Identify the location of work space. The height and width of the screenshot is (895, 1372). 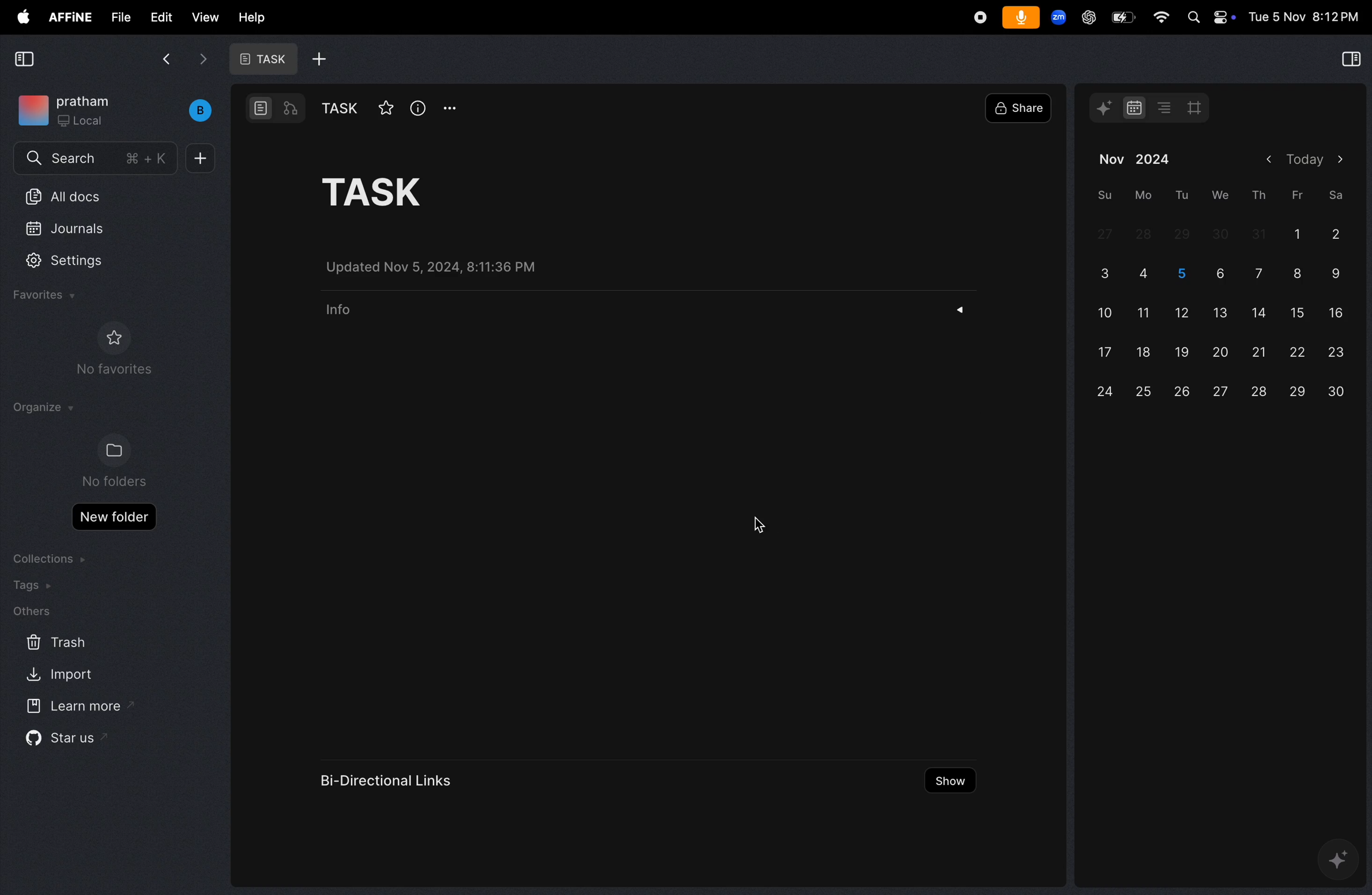
(117, 110).